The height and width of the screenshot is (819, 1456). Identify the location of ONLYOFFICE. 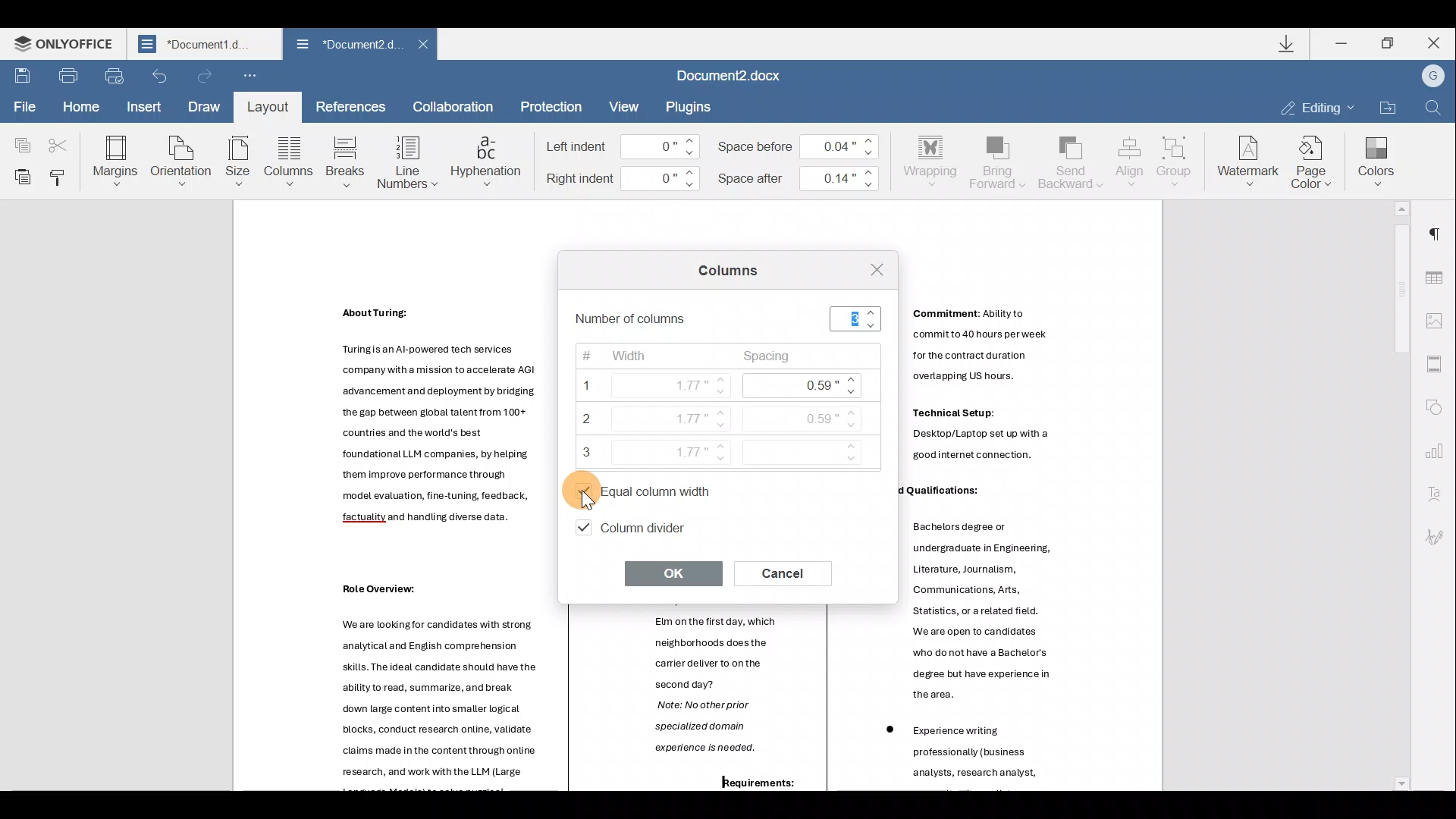
(67, 47).